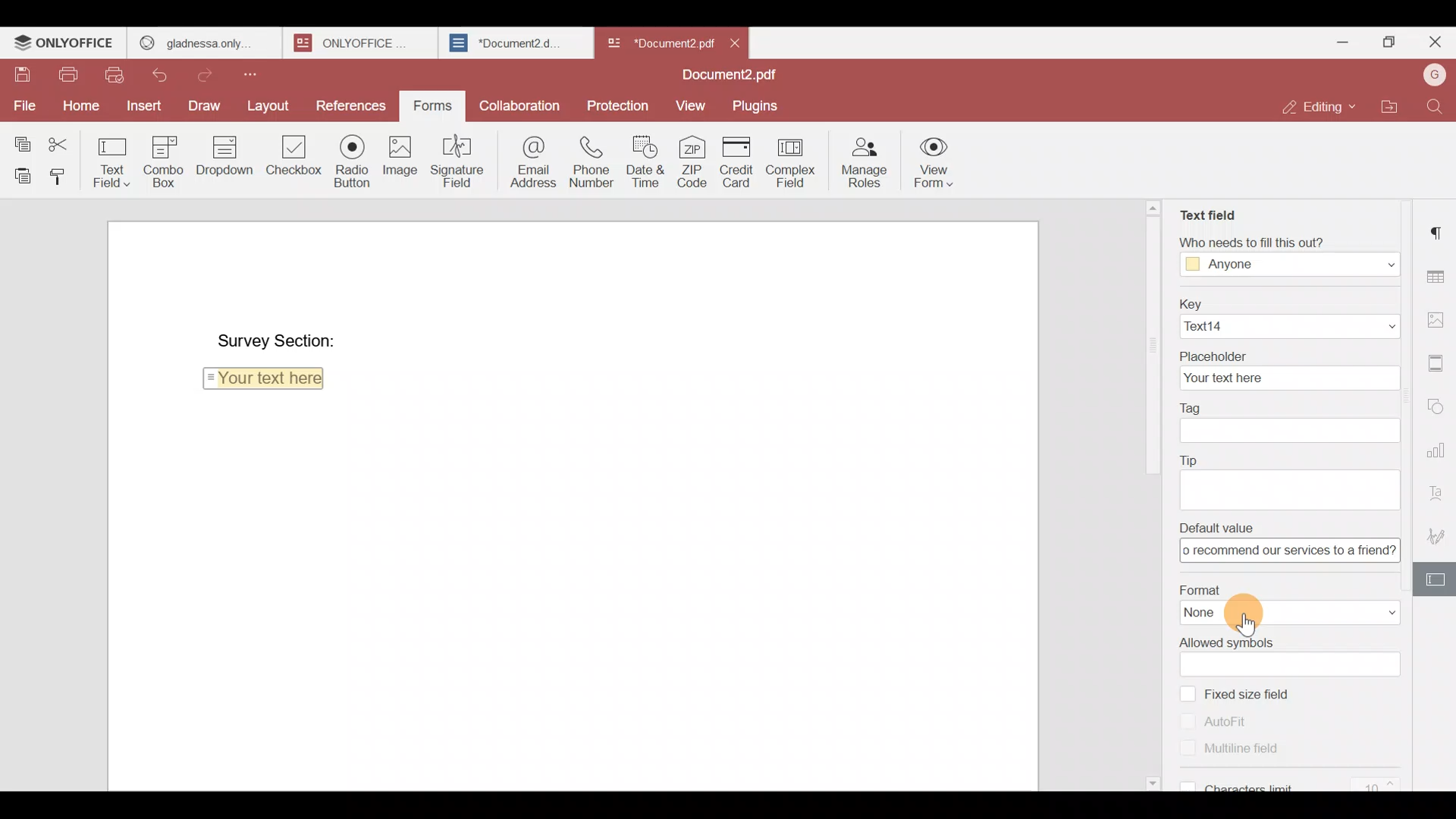 The image size is (1456, 819). What do you see at coordinates (350, 102) in the screenshot?
I see `References` at bounding box center [350, 102].